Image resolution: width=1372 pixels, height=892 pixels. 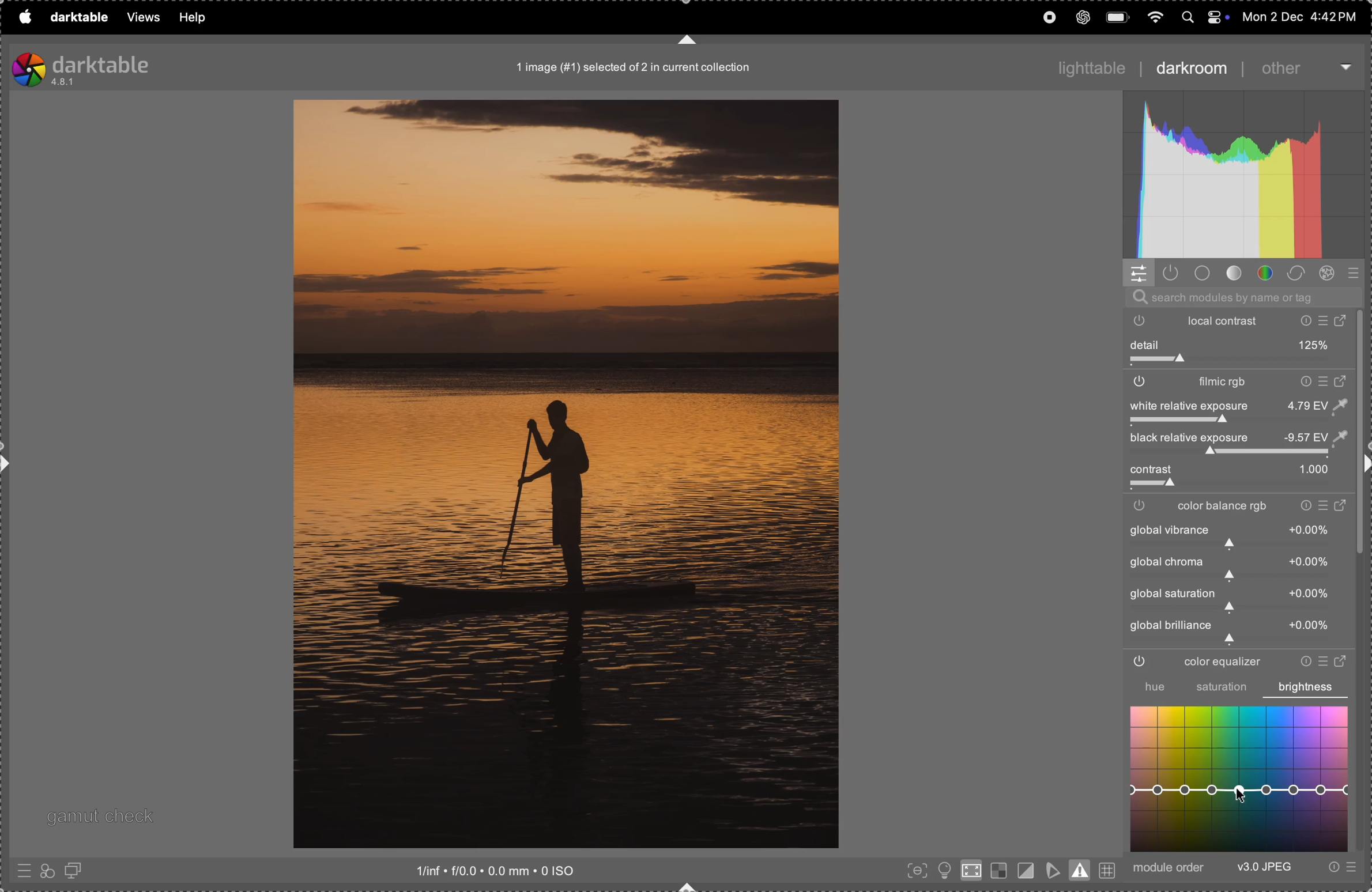 What do you see at coordinates (1299, 16) in the screenshot?
I see `date and time` at bounding box center [1299, 16].